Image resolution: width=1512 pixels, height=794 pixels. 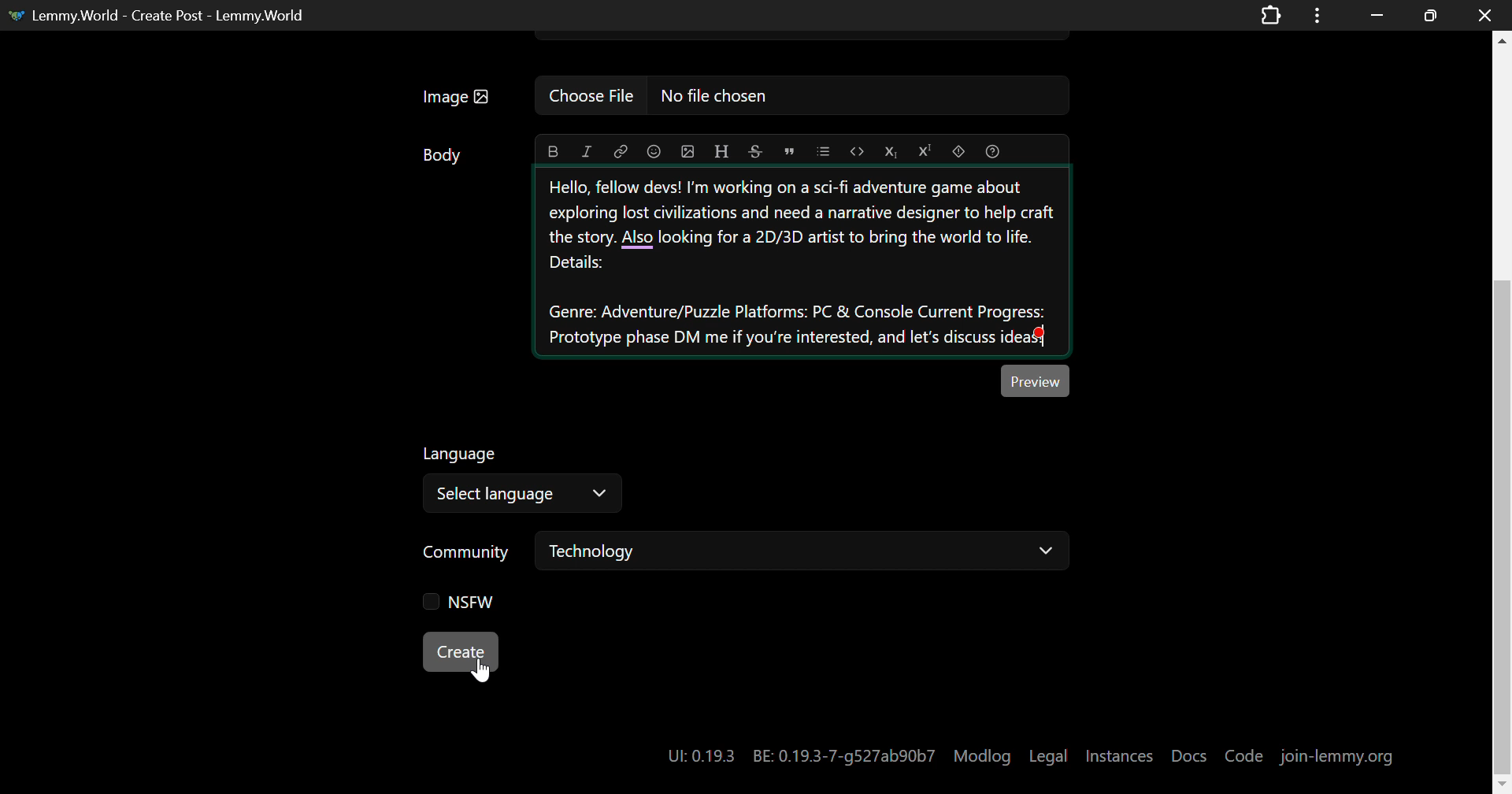 What do you see at coordinates (552, 151) in the screenshot?
I see `bold` at bounding box center [552, 151].